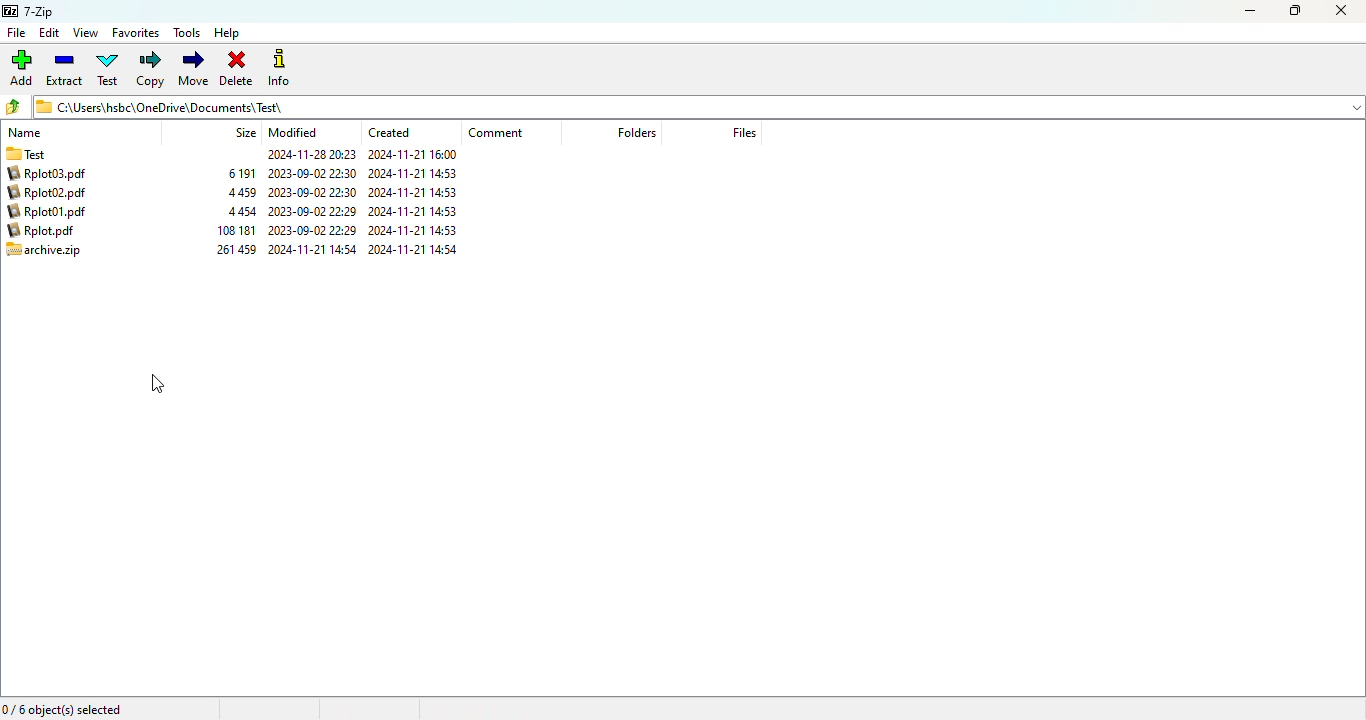 The image size is (1366, 720). I want to click on delete, so click(237, 68).